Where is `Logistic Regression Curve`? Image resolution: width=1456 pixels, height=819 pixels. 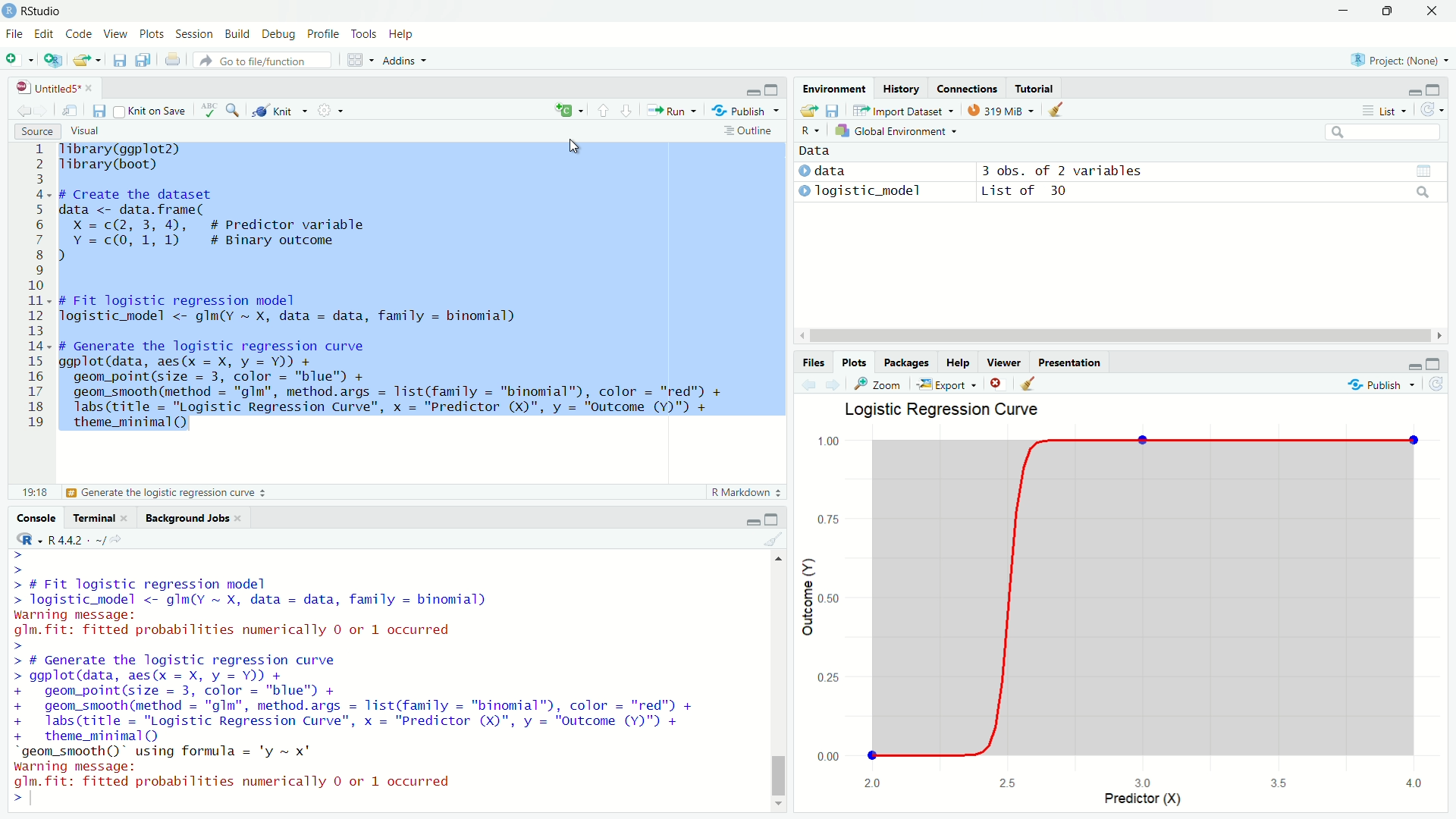
Logistic Regression Curve is located at coordinates (942, 409).